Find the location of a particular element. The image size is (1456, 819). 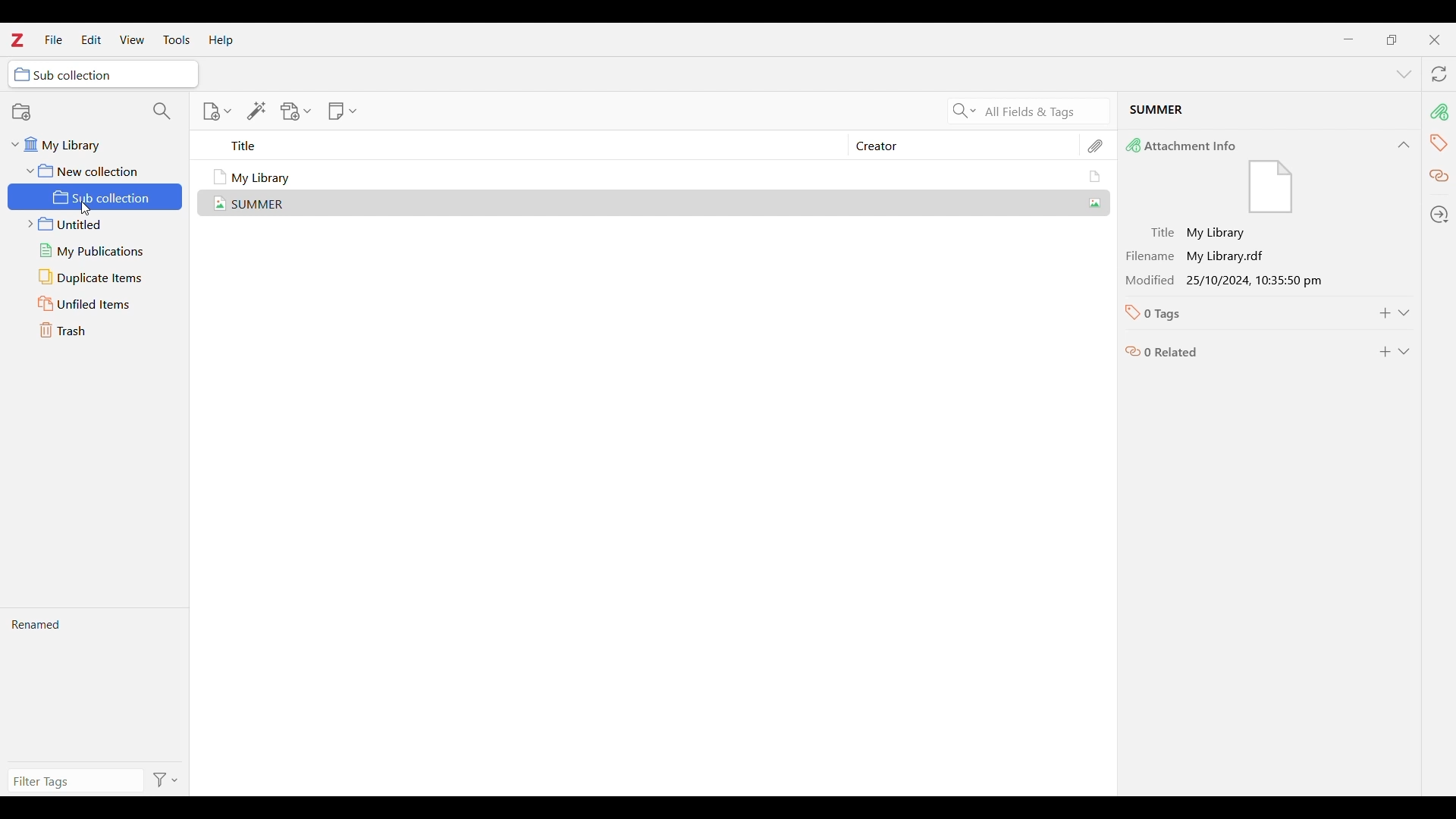

Unfiled items is located at coordinates (96, 303).